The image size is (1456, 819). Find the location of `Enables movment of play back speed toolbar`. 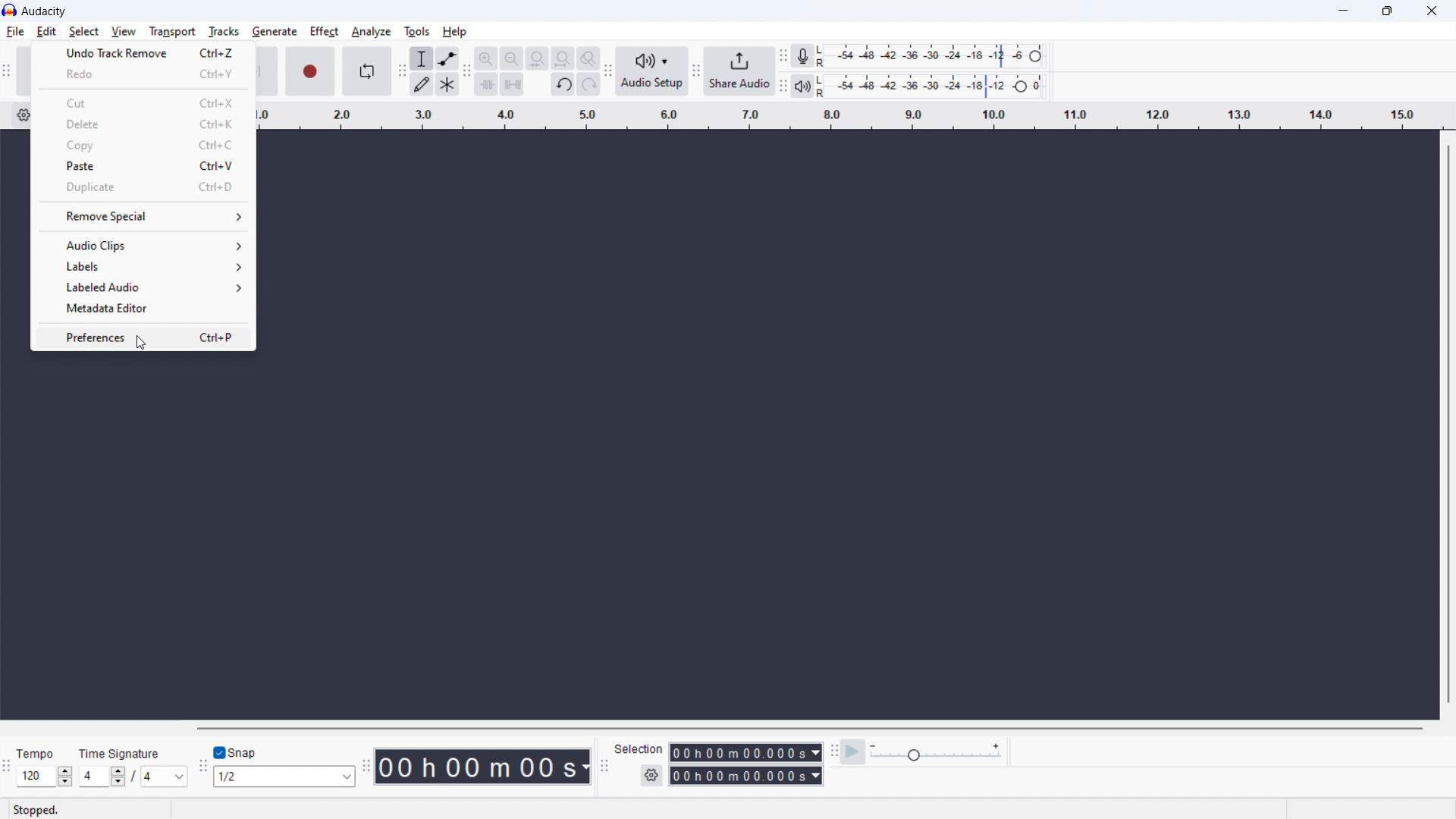

Enables movment of play back speed toolbar is located at coordinates (834, 752).